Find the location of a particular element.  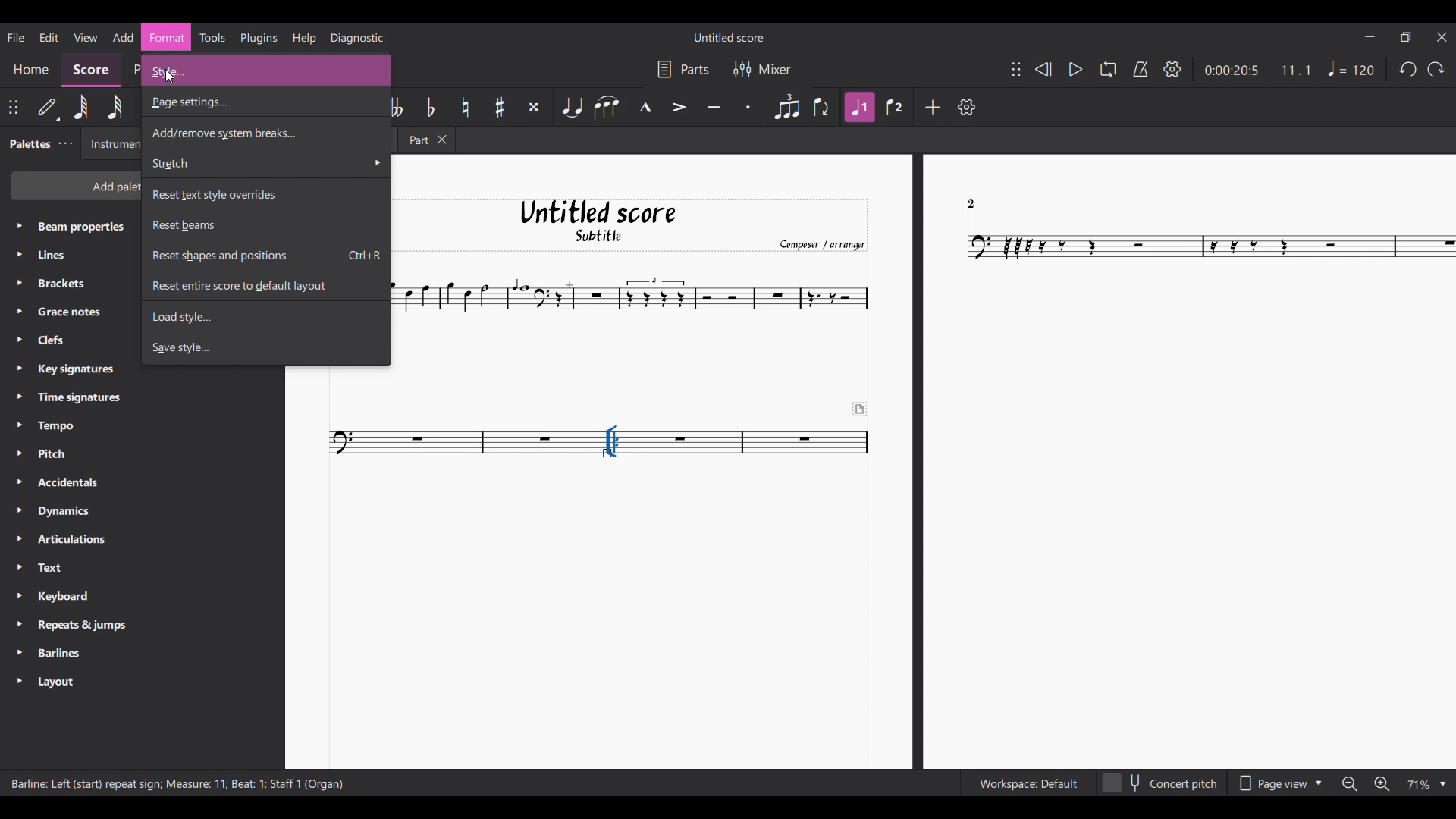

Load style is located at coordinates (265, 315).